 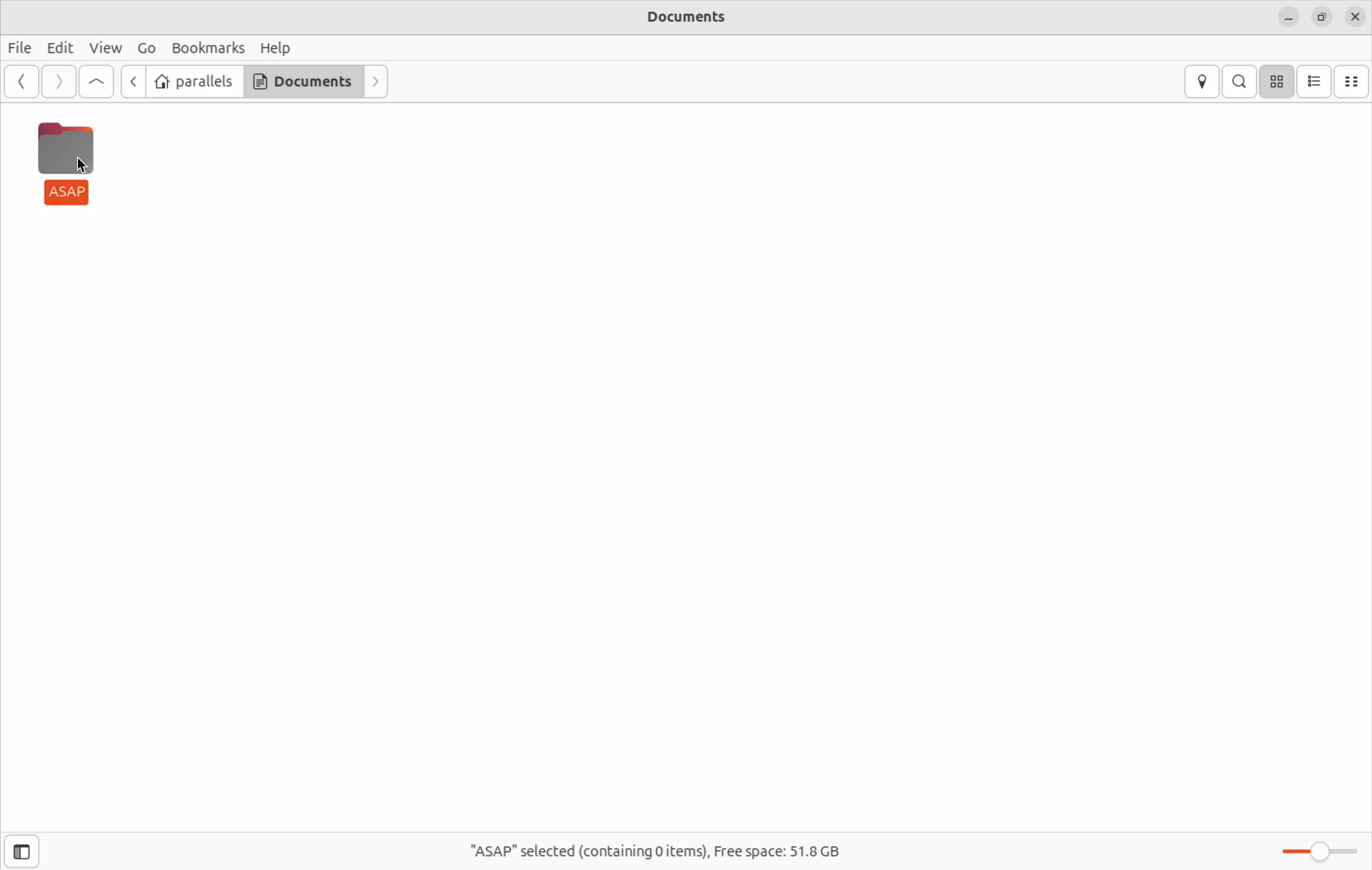 What do you see at coordinates (378, 81) in the screenshot?
I see `forward` at bounding box center [378, 81].